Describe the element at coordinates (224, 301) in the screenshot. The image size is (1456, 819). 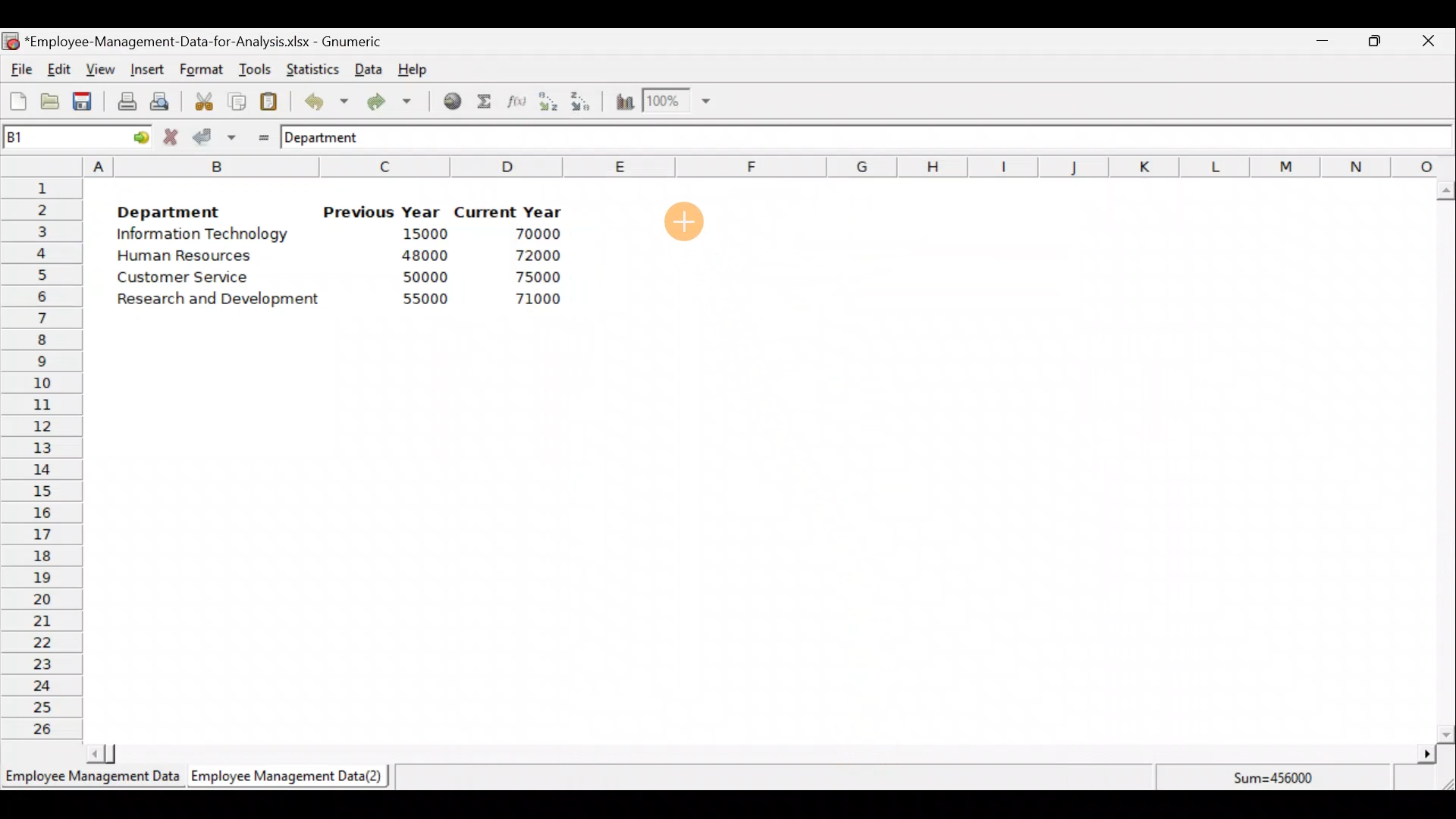
I see `Research and Development` at that location.